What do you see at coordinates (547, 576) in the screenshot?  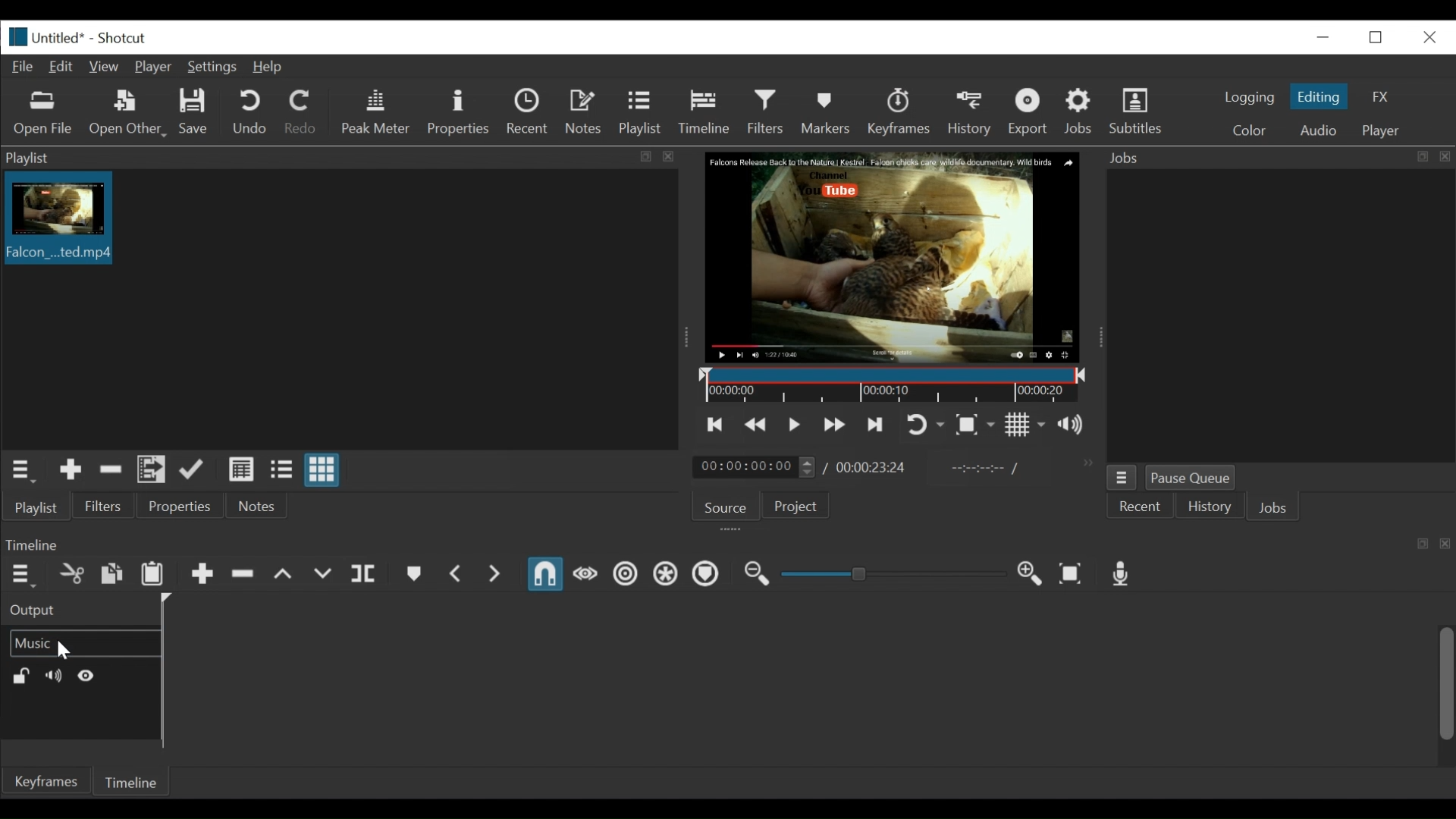 I see `Snap` at bounding box center [547, 576].